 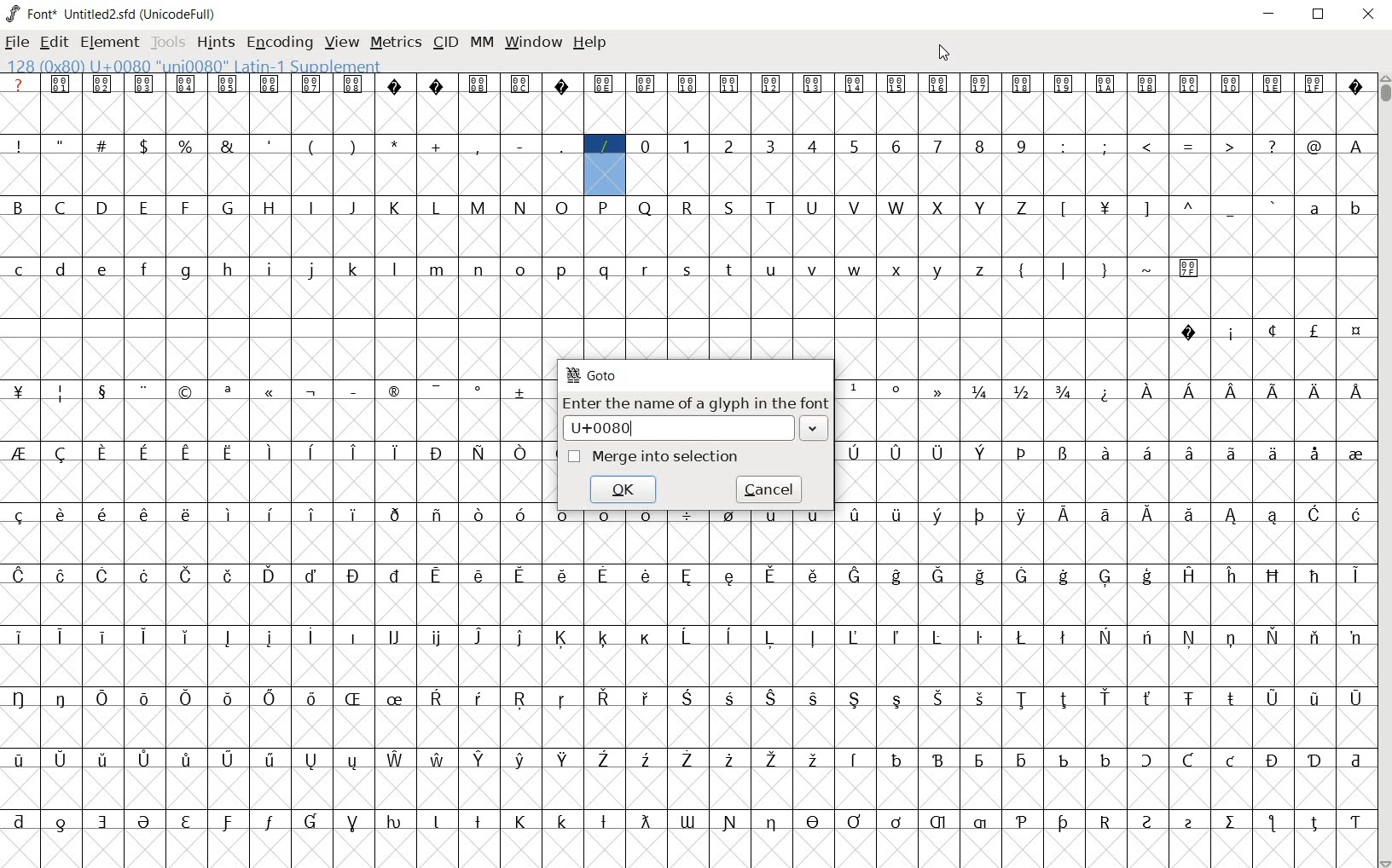 I want to click on VIEW, so click(x=342, y=40).